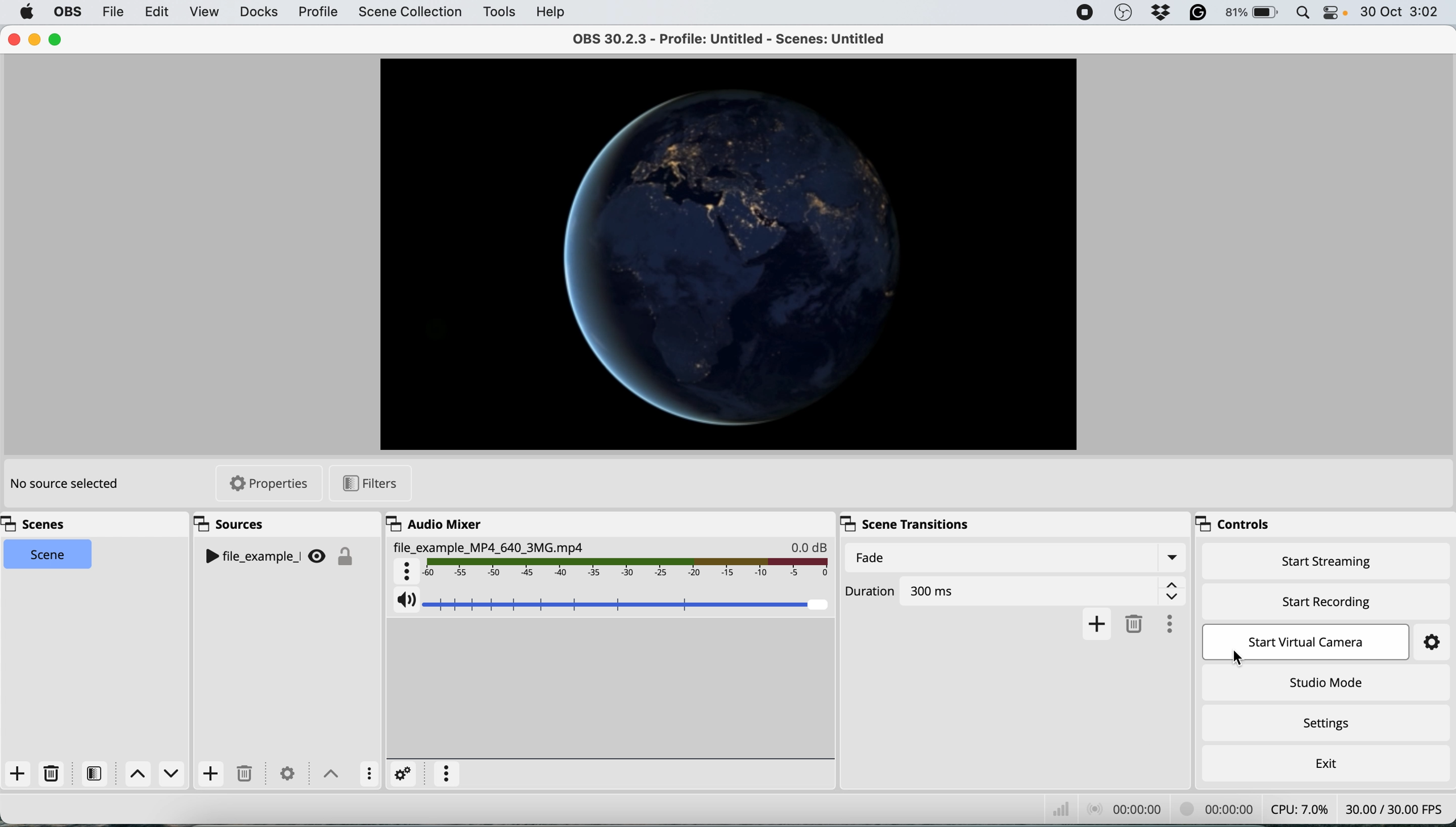  Describe the element at coordinates (1169, 625) in the screenshot. I see `more options` at that location.